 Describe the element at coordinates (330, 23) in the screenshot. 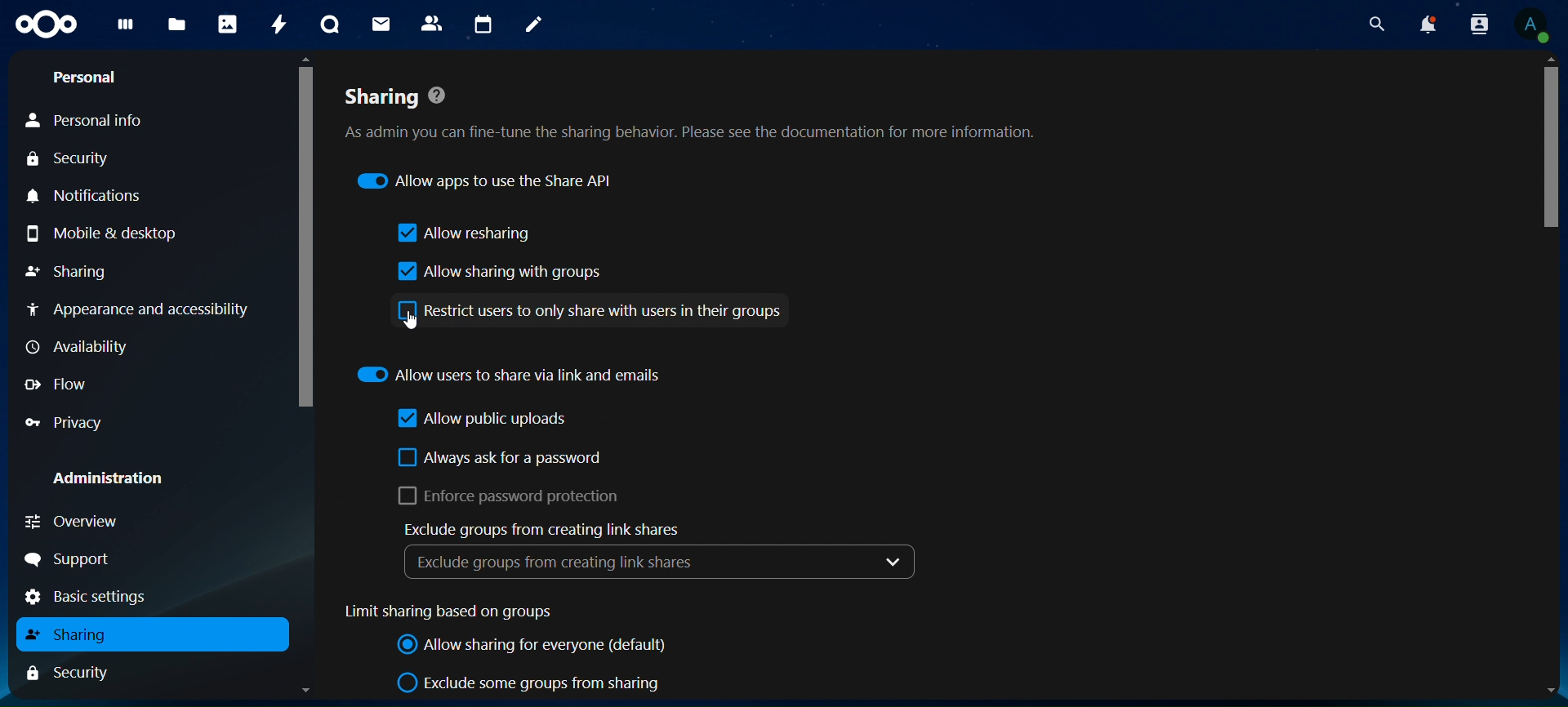

I see `talk` at that location.